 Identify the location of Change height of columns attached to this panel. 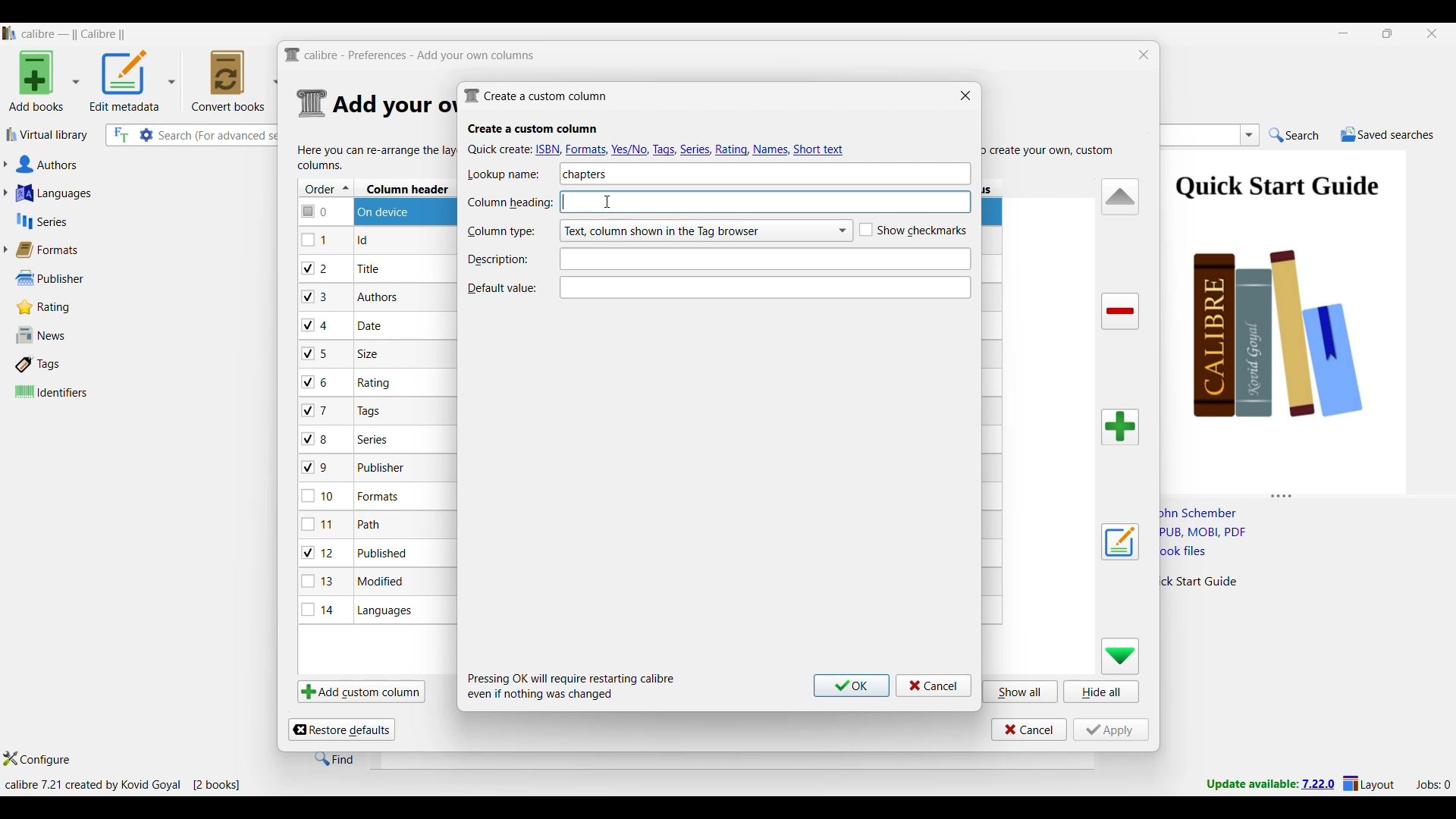
(1307, 493).